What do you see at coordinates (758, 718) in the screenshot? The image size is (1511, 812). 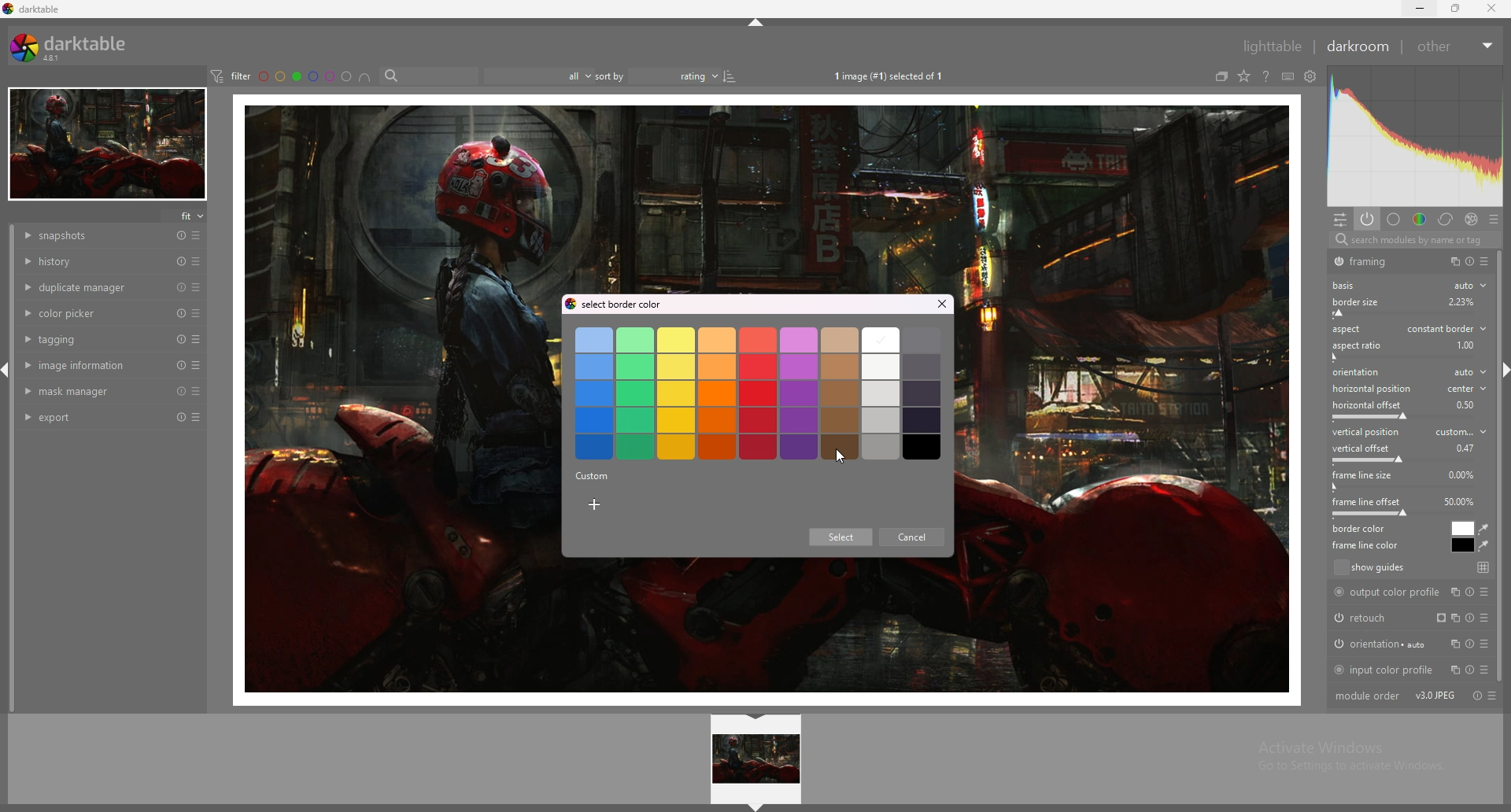 I see `hide` at bounding box center [758, 718].